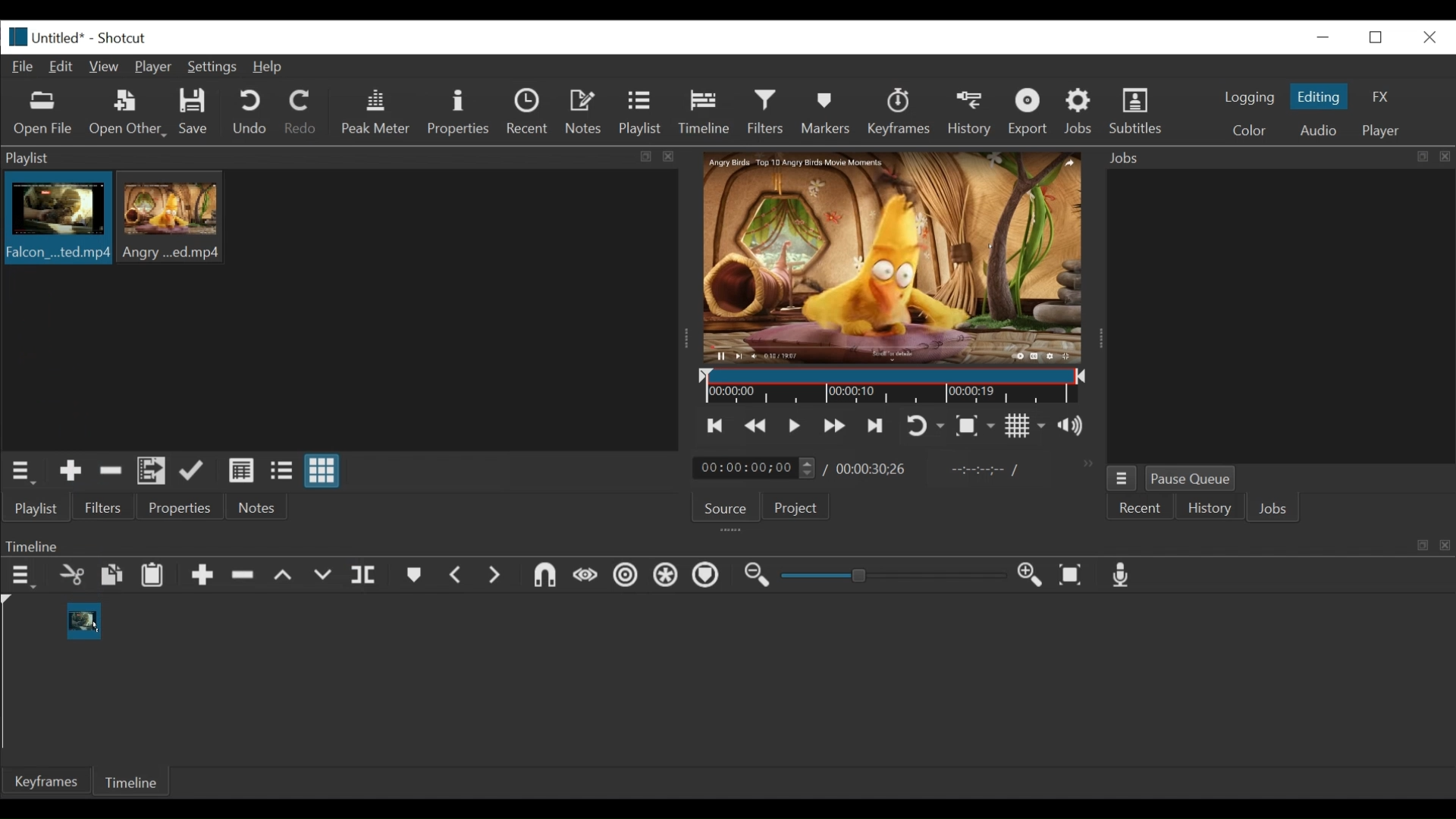  What do you see at coordinates (1141, 509) in the screenshot?
I see `Recent` at bounding box center [1141, 509].